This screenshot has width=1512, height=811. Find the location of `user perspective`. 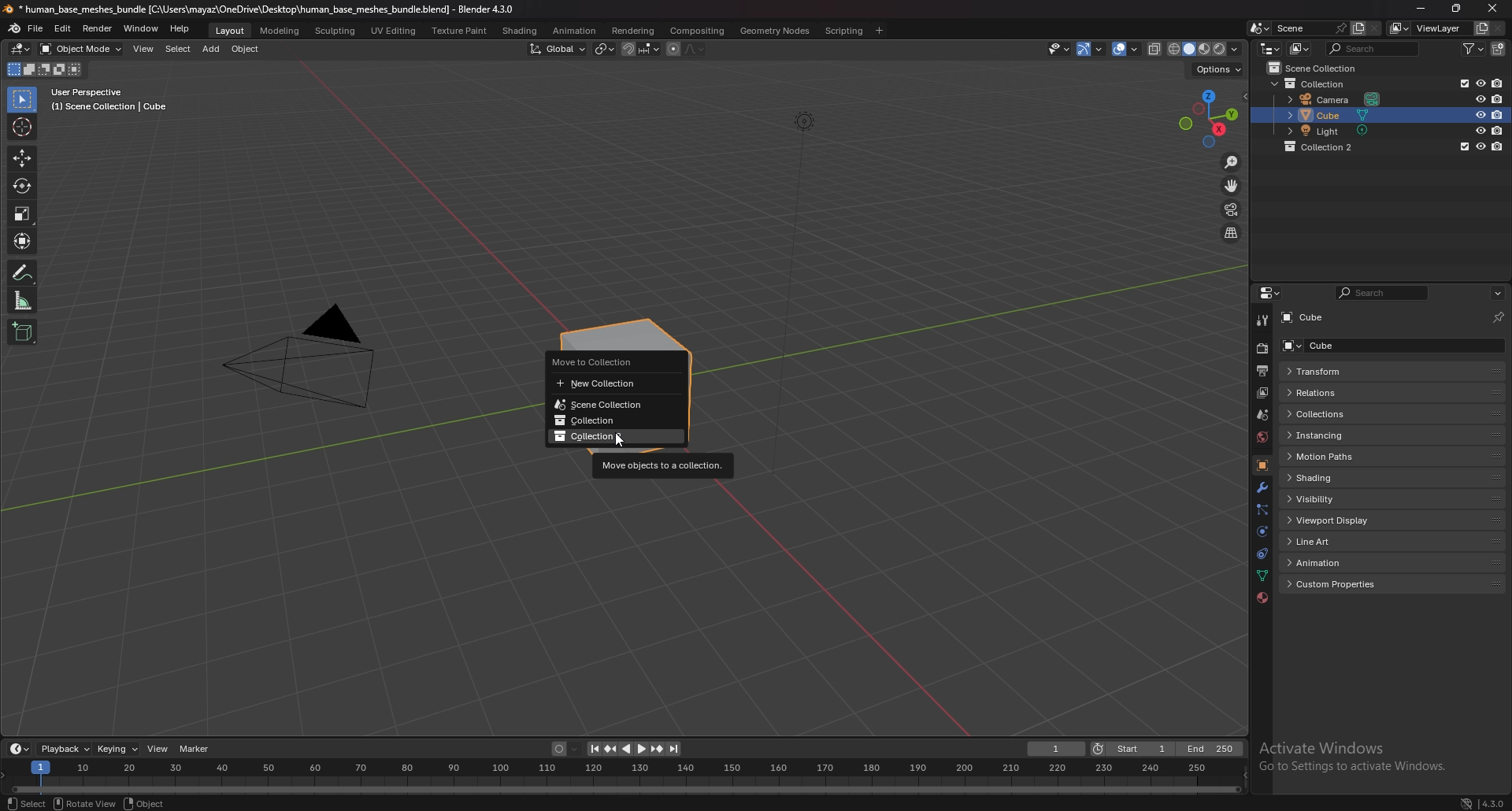

user perspective is located at coordinates (106, 100).